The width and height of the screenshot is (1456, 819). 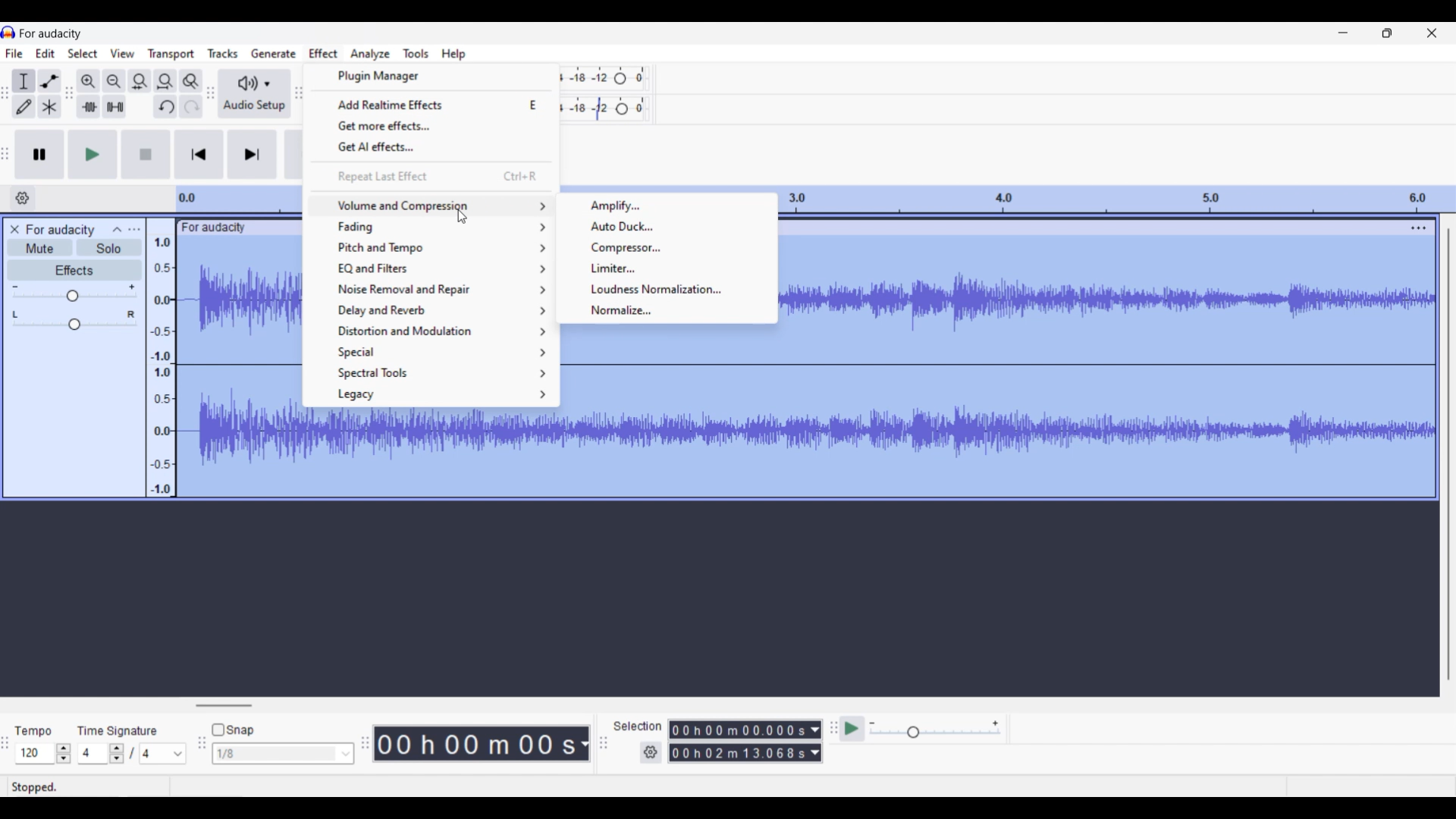 What do you see at coordinates (431, 395) in the screenshot?
I see `Legacy` at bounding box center [431, 395].